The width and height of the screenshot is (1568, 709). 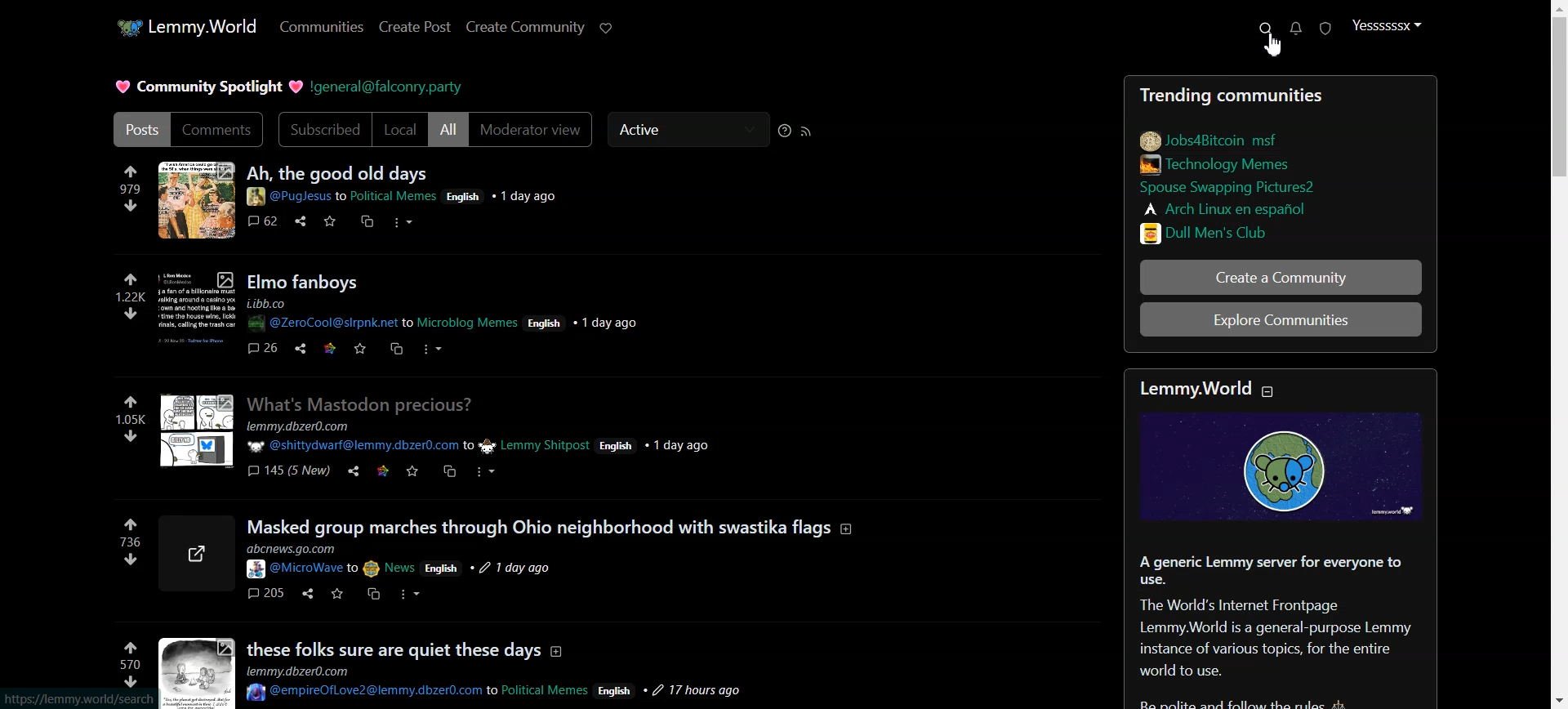 What do you see at coordinates (197, 199) in the screenshot?
I see `link` at bounding box center [197, 199].